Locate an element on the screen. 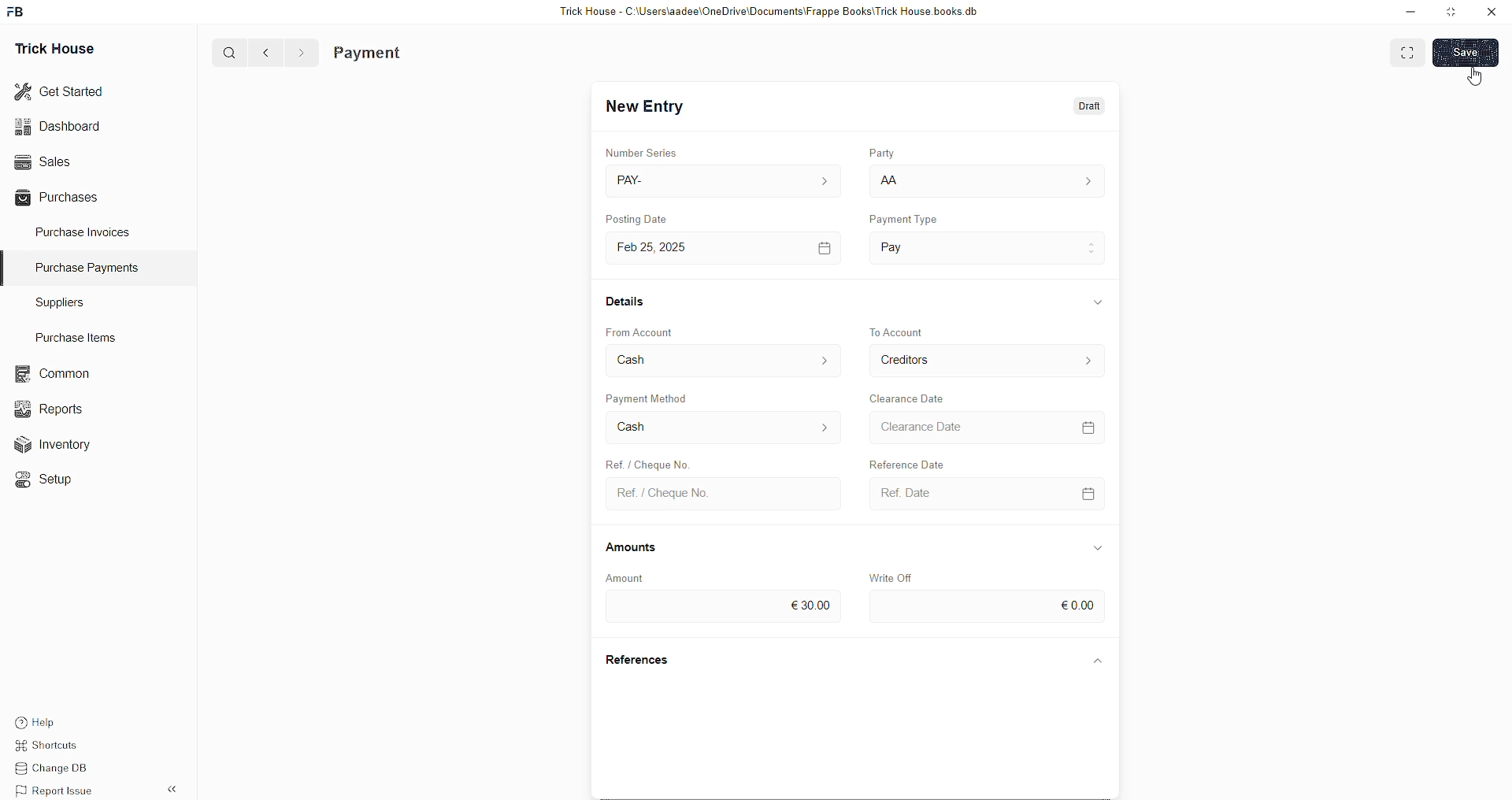  Pay is located at coordinates (921, 243).